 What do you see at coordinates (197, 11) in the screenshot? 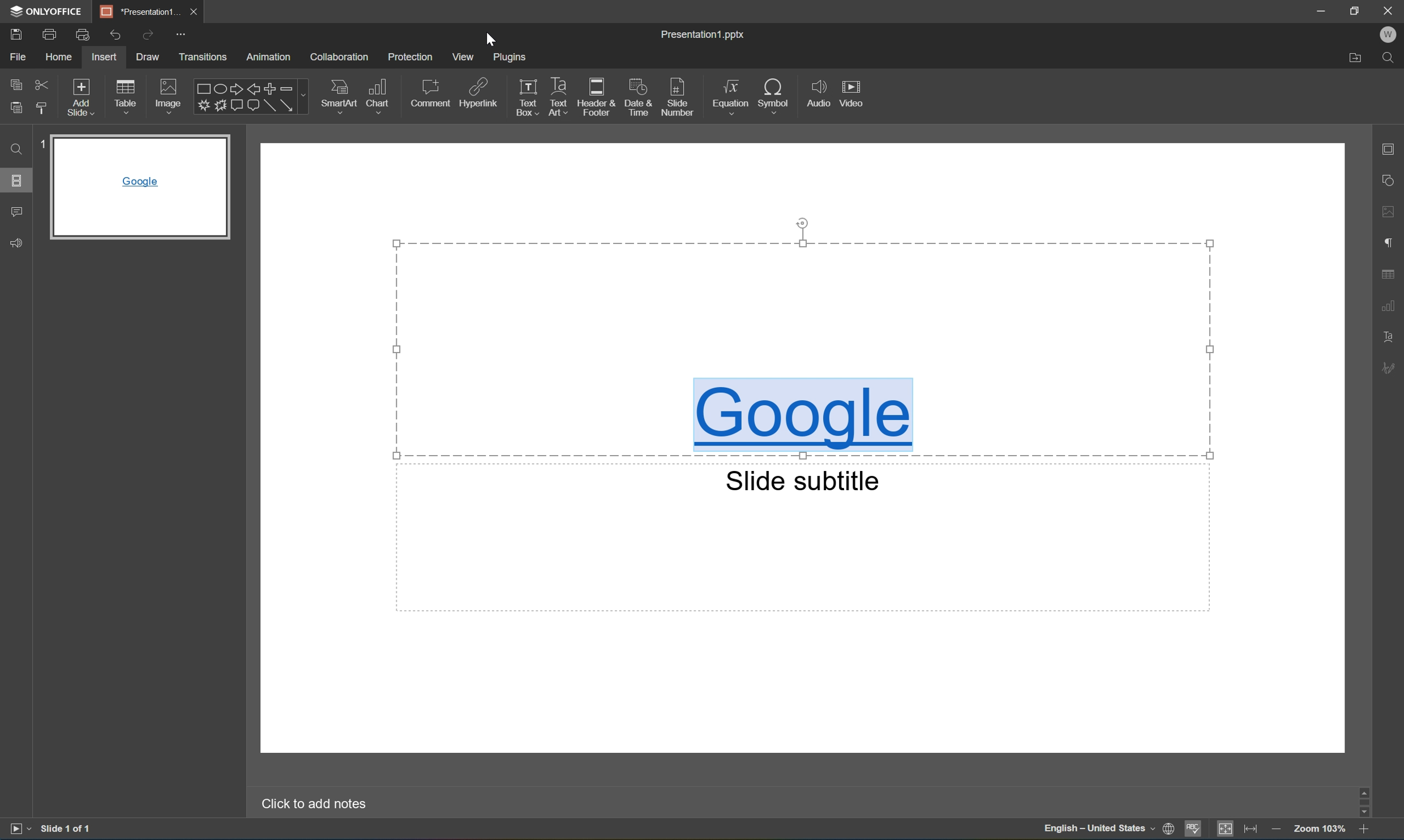
I see `Close` at bounding box center [197, 11].